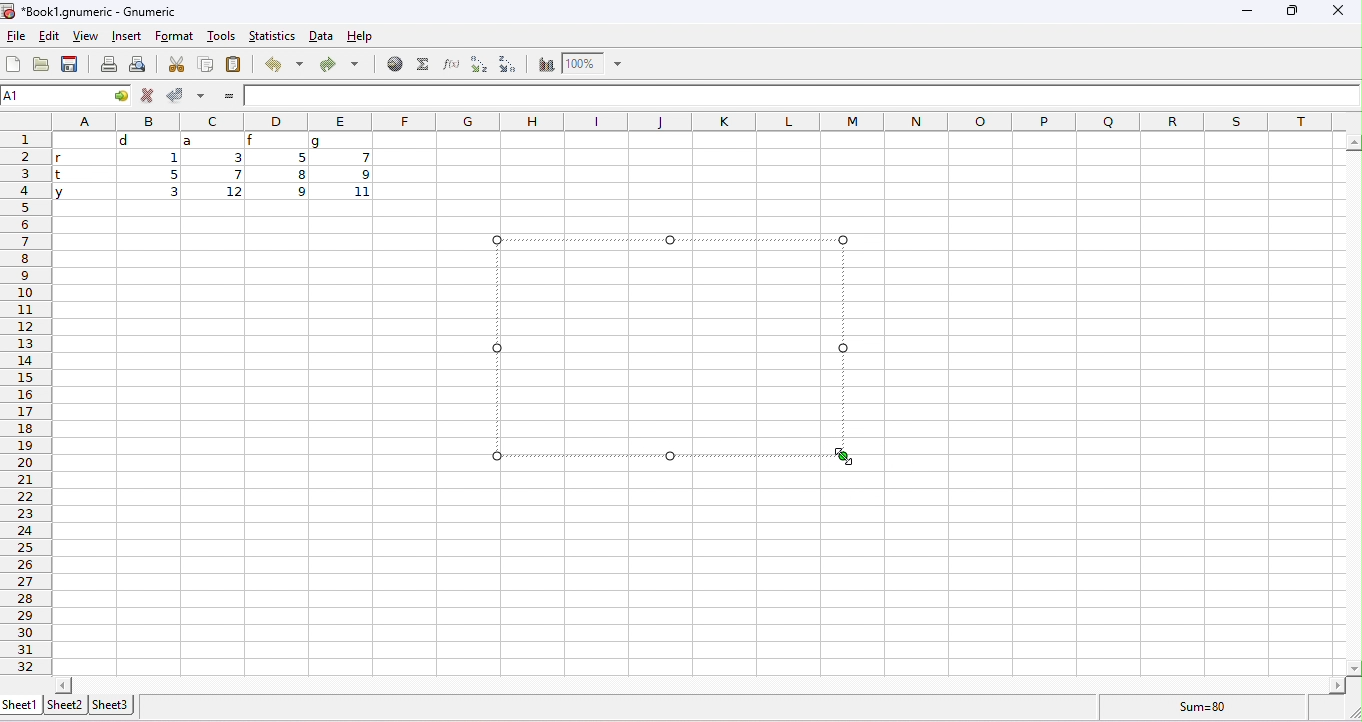 The height and width of the screenshot is (722, 1362). Describe the element at coordinates (320, 36) in the screenshot. I see `data` at that location.